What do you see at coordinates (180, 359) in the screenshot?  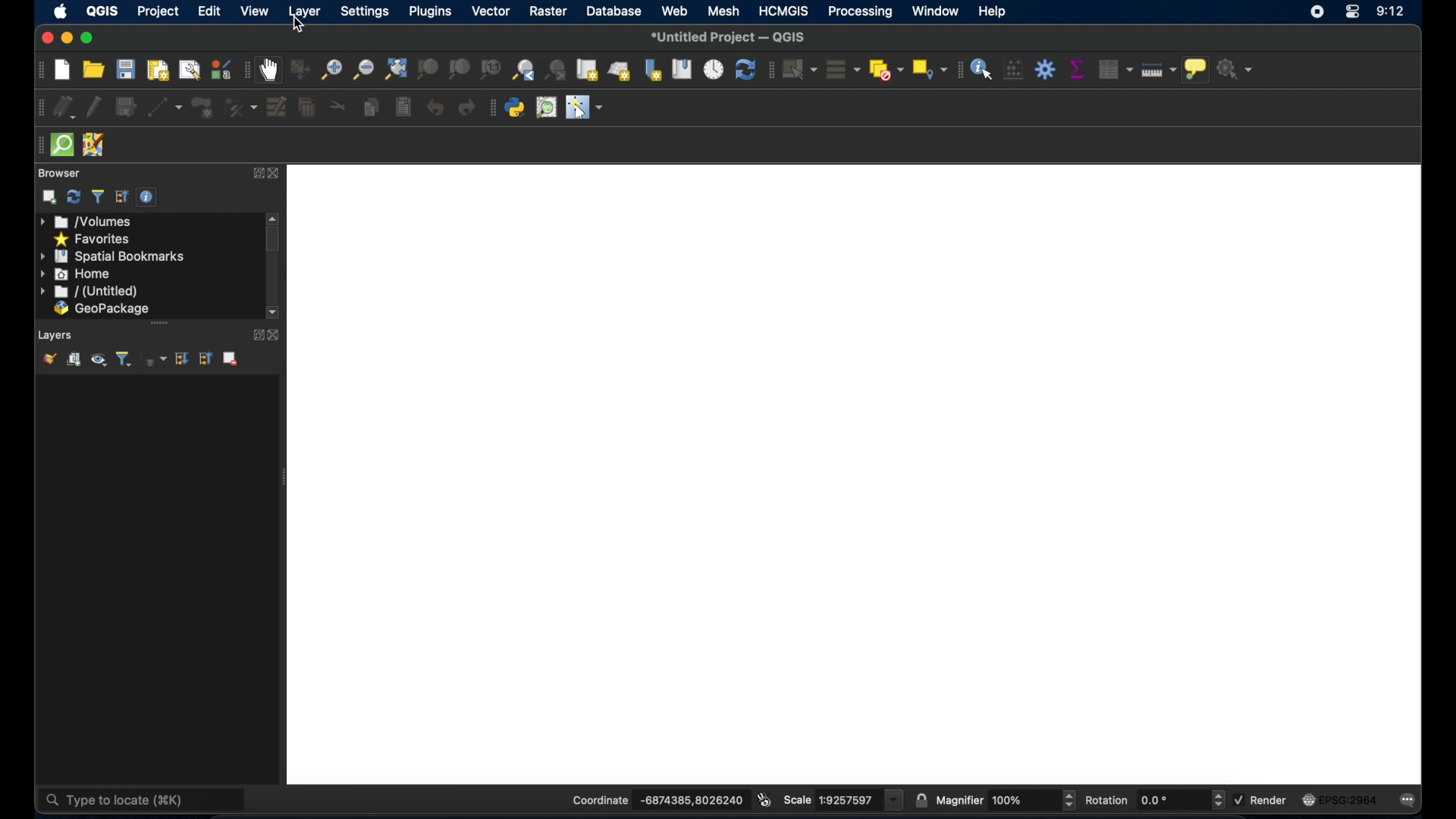 I see `expand all` at bounding box center [180, 359].